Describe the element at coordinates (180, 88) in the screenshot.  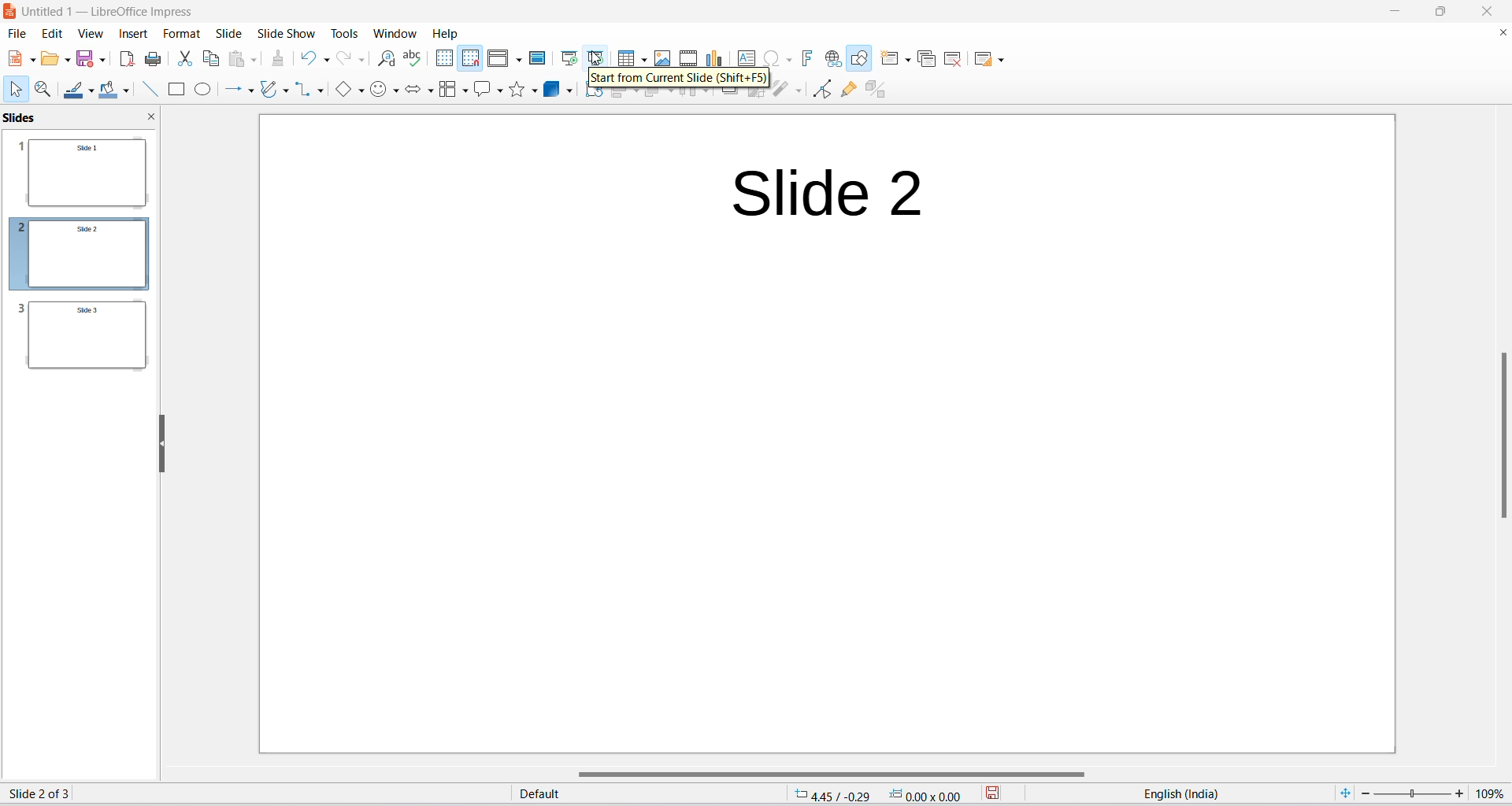
I see `rectangle` at that location.